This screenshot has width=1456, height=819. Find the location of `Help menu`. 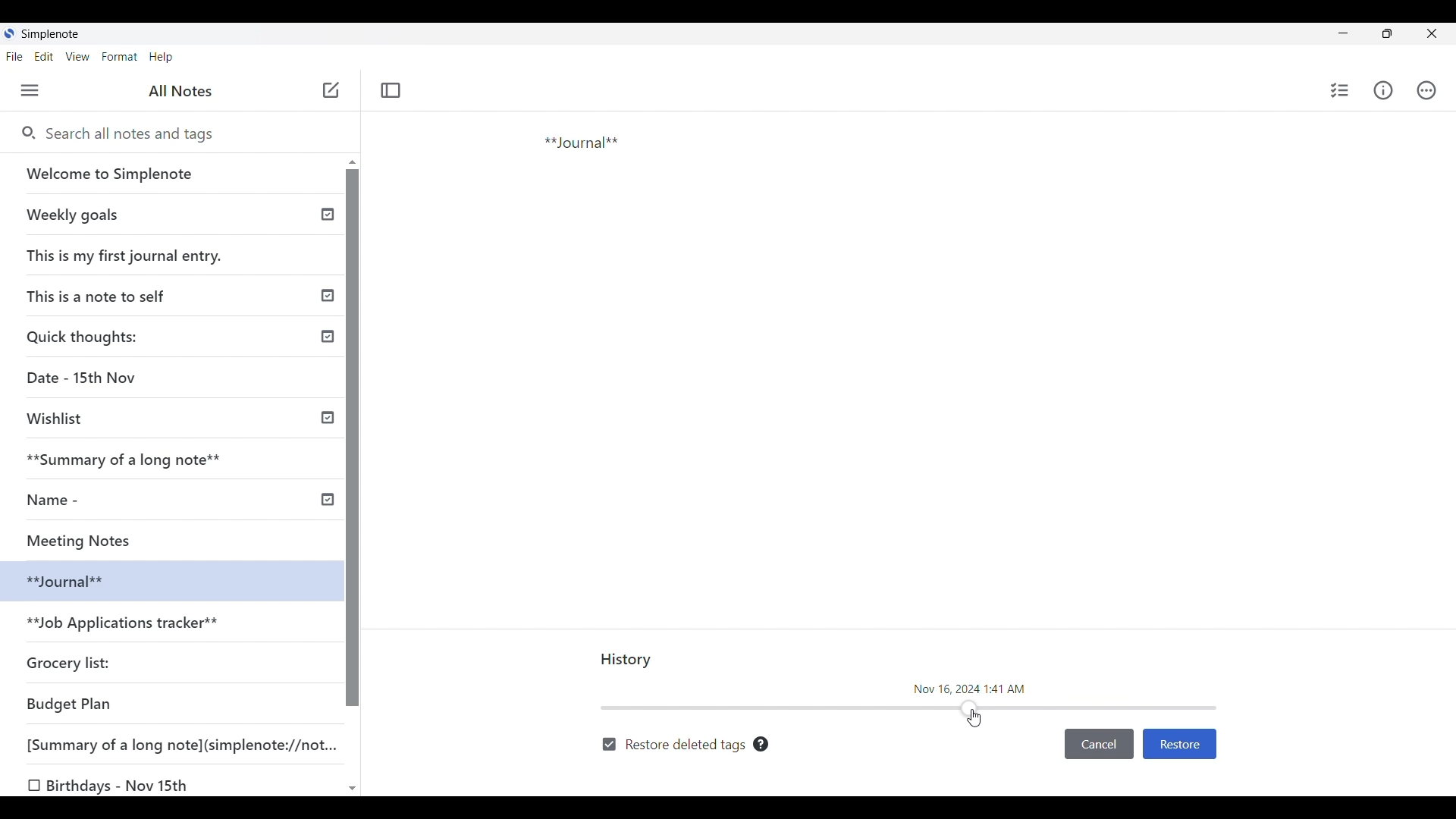

Help menu is located at coordinates (162, 58).